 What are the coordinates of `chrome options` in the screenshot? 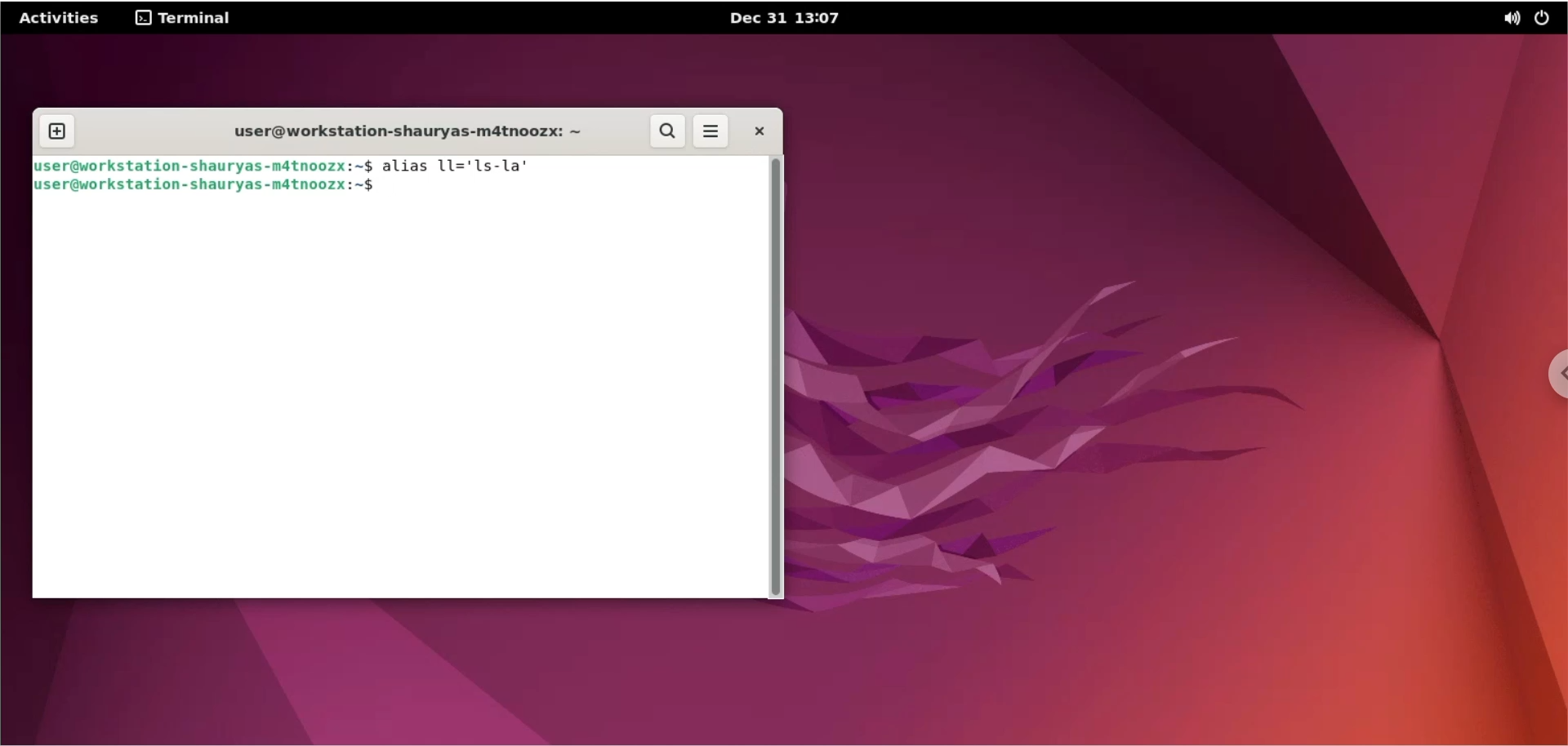 It's located at (1552, 381).